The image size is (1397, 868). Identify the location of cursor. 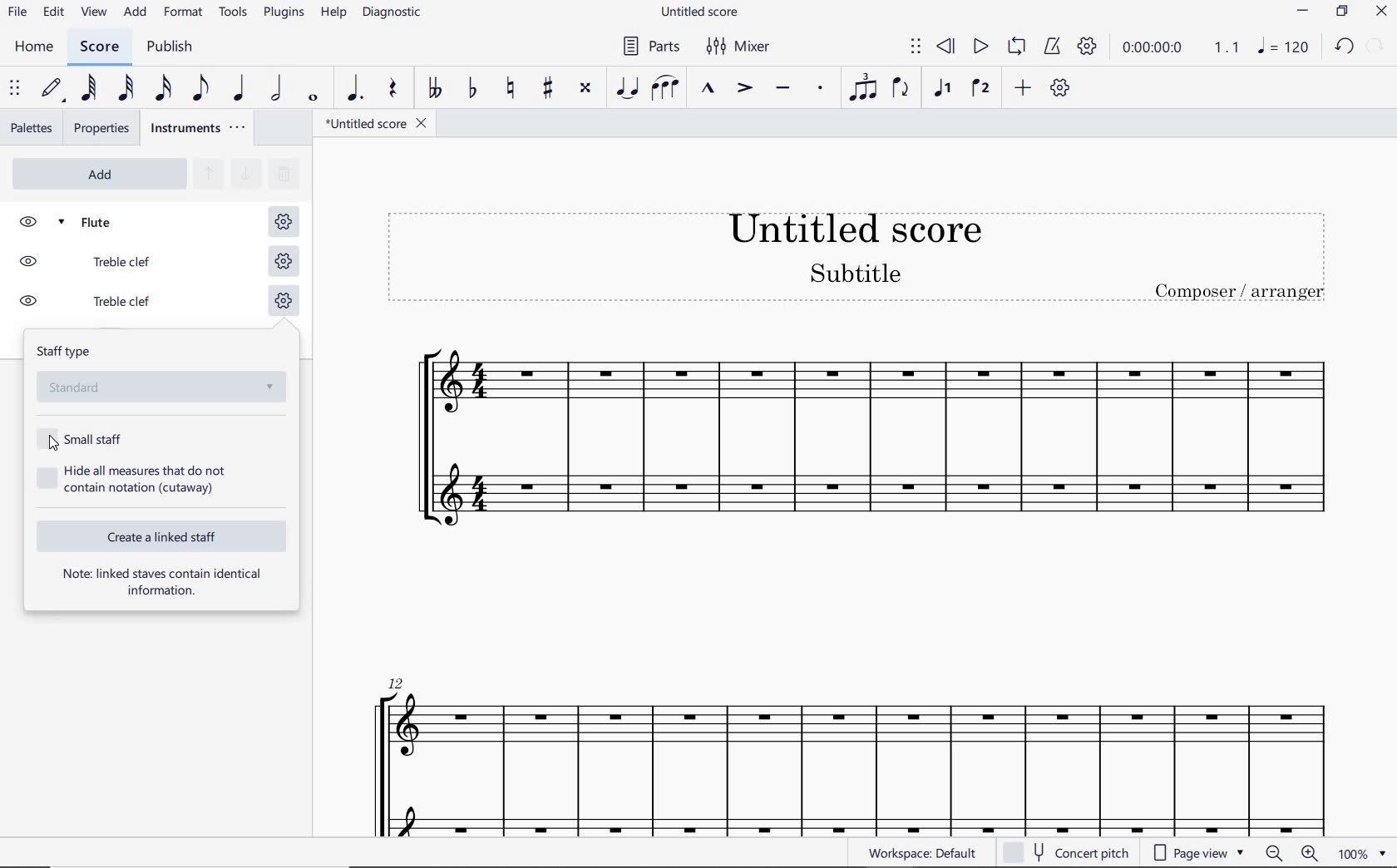
(48, 449).